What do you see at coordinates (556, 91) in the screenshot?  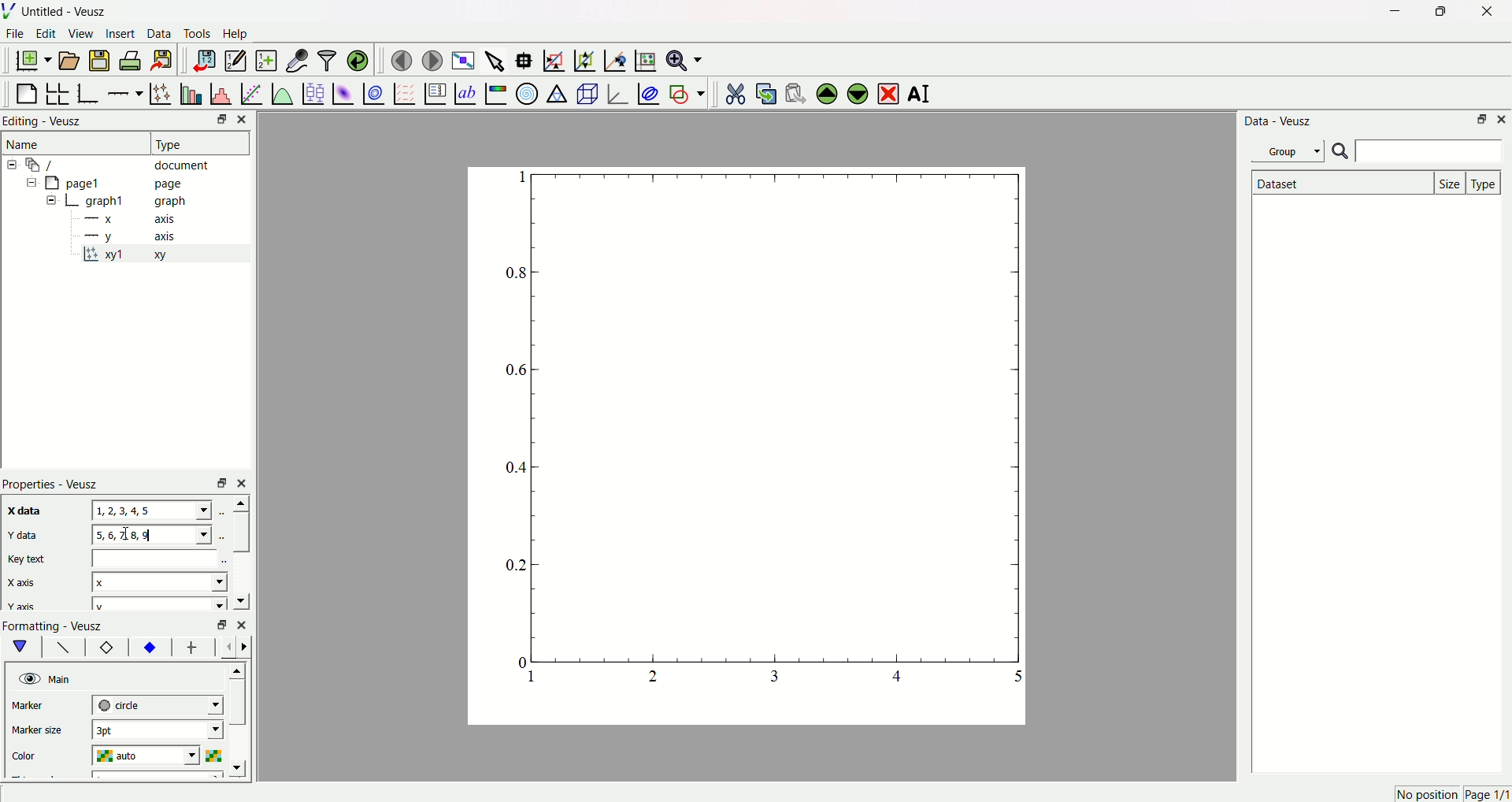 I see `ternary graphs` at bounding box center [556, 91].